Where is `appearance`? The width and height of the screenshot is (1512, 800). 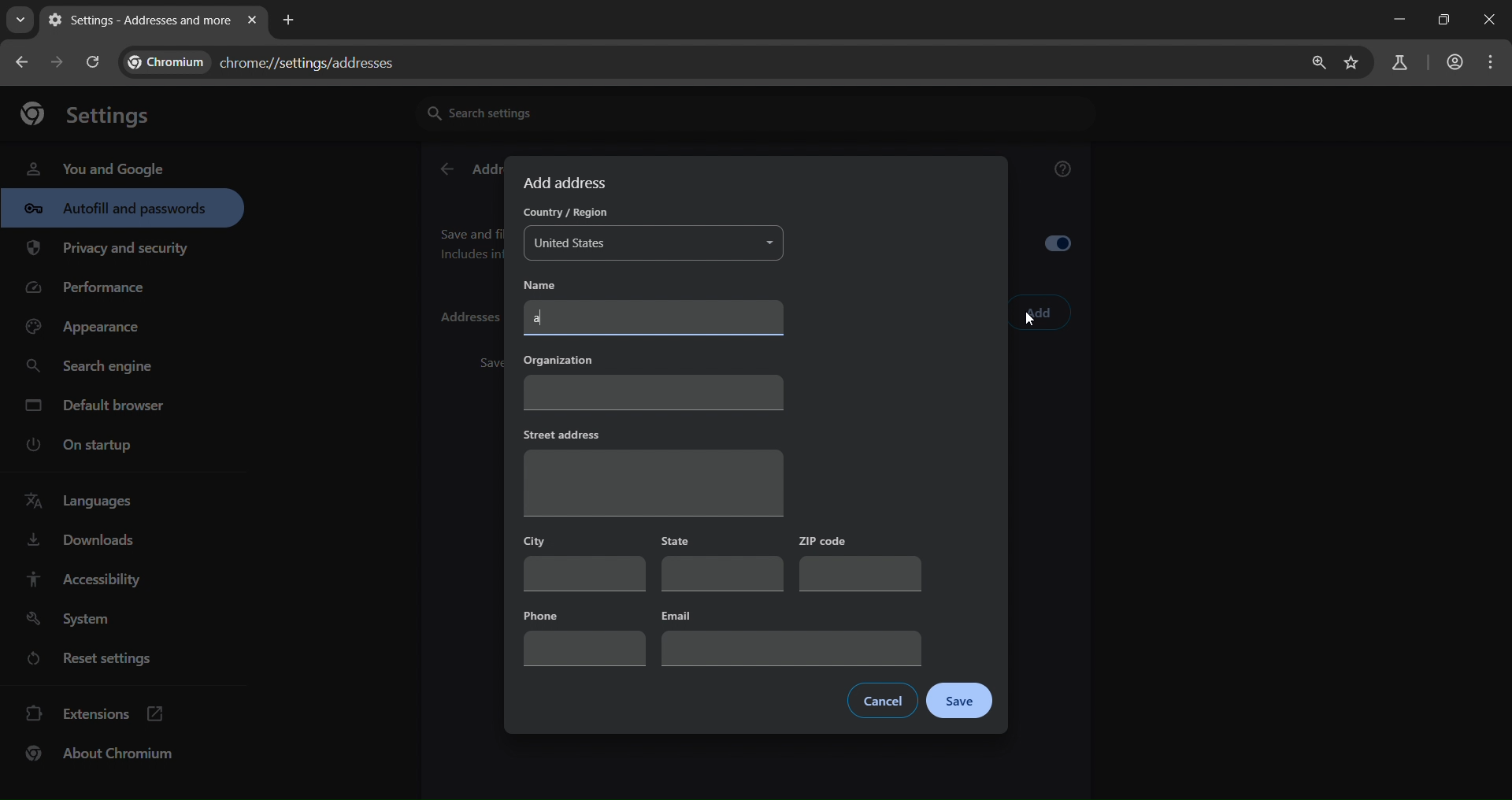
appearance is located at coordinates (88, 328).